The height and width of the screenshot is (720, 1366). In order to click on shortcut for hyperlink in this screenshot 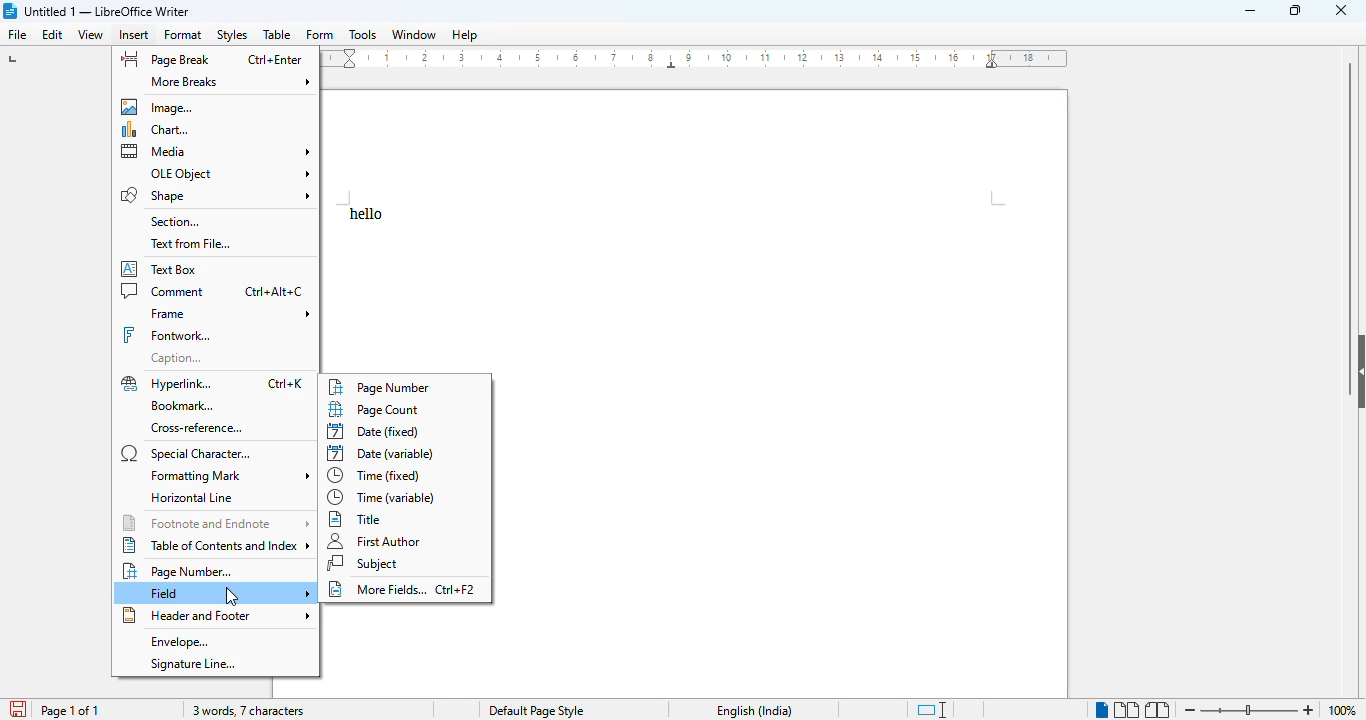, I will do `click(287, 384)`.